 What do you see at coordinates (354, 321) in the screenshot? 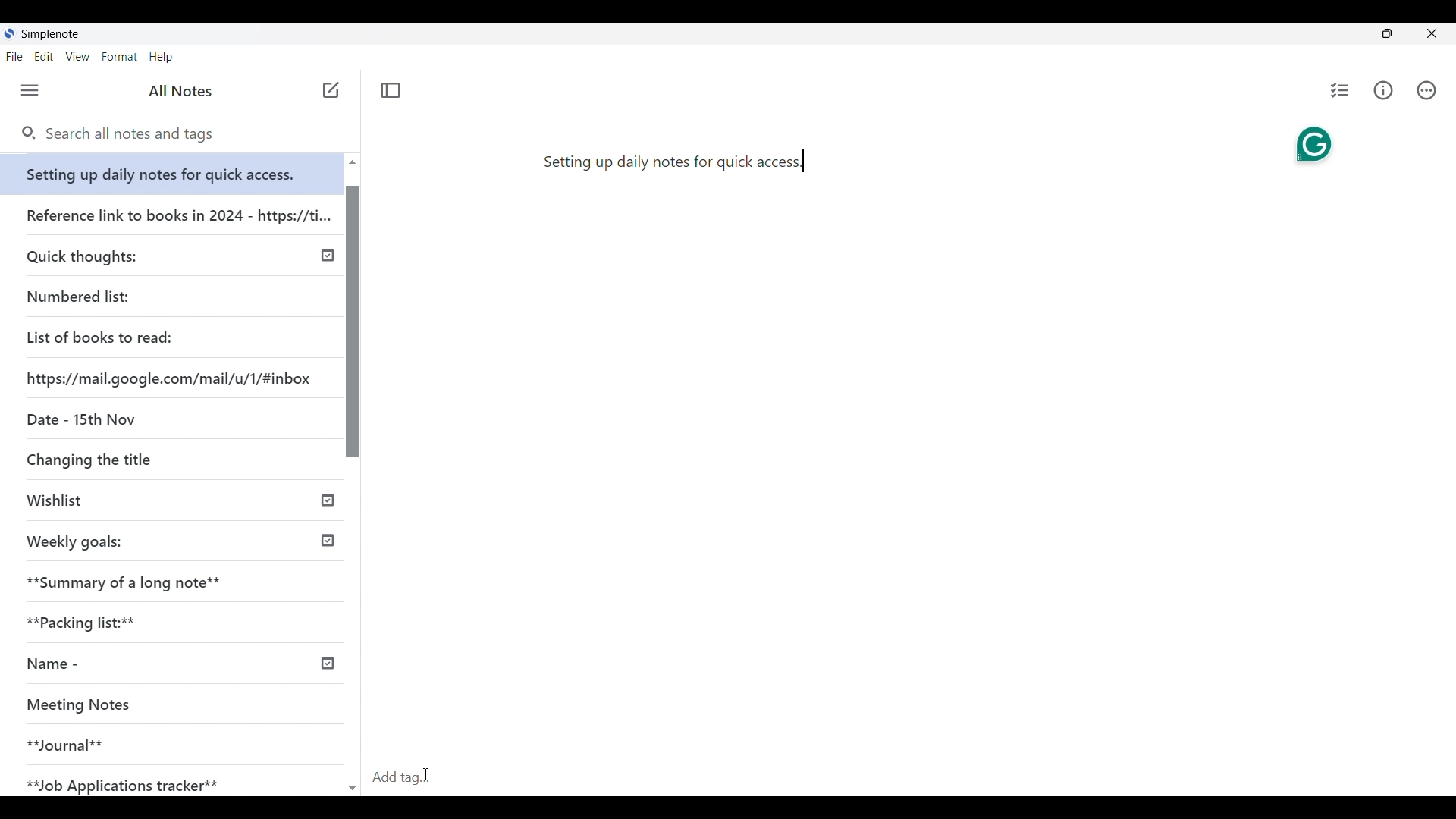
I see `Vertical slide bar` at bounding box center [354, 321].